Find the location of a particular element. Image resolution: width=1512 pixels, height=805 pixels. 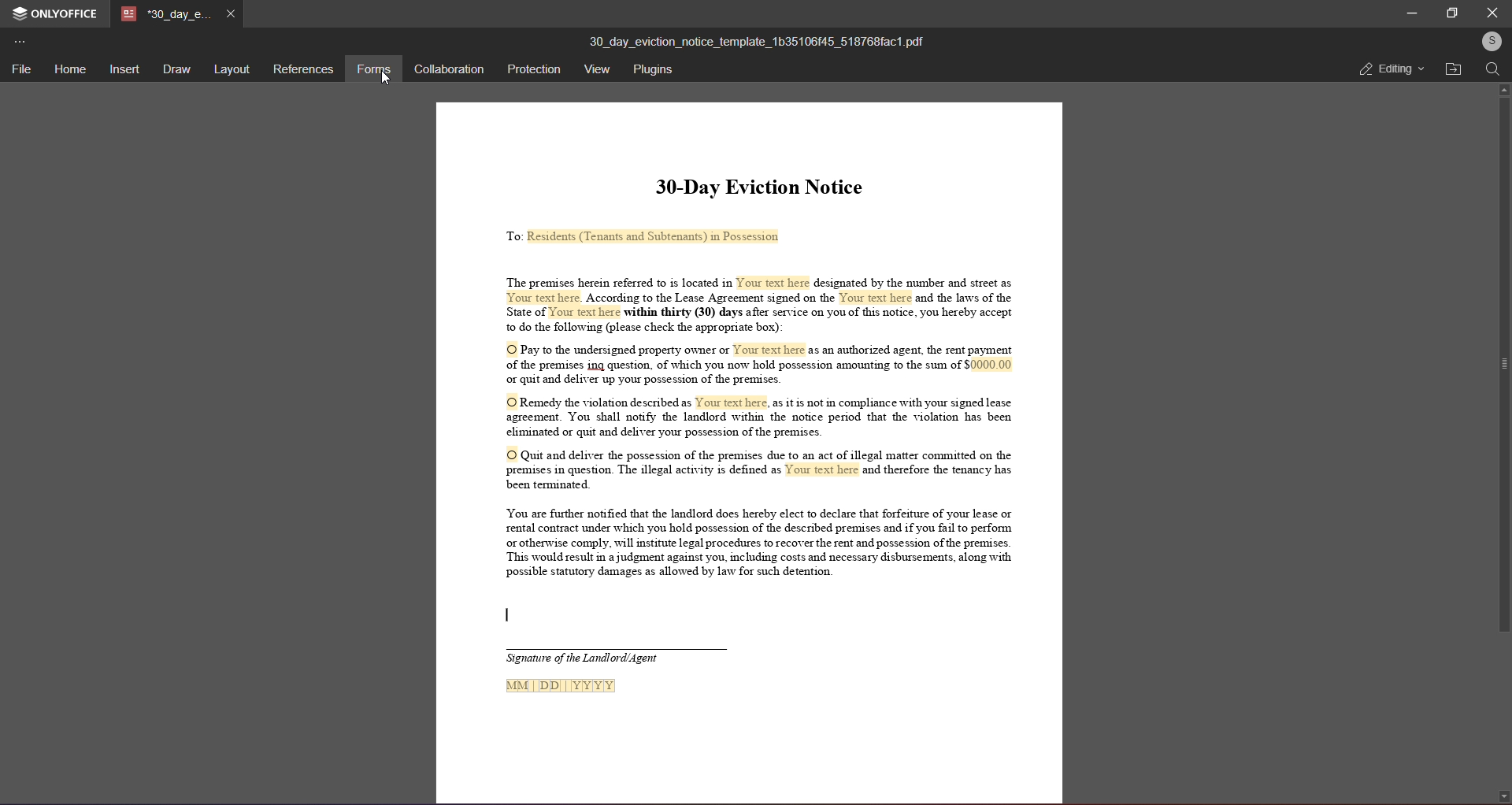

search is located at coordinates (1494, 71).